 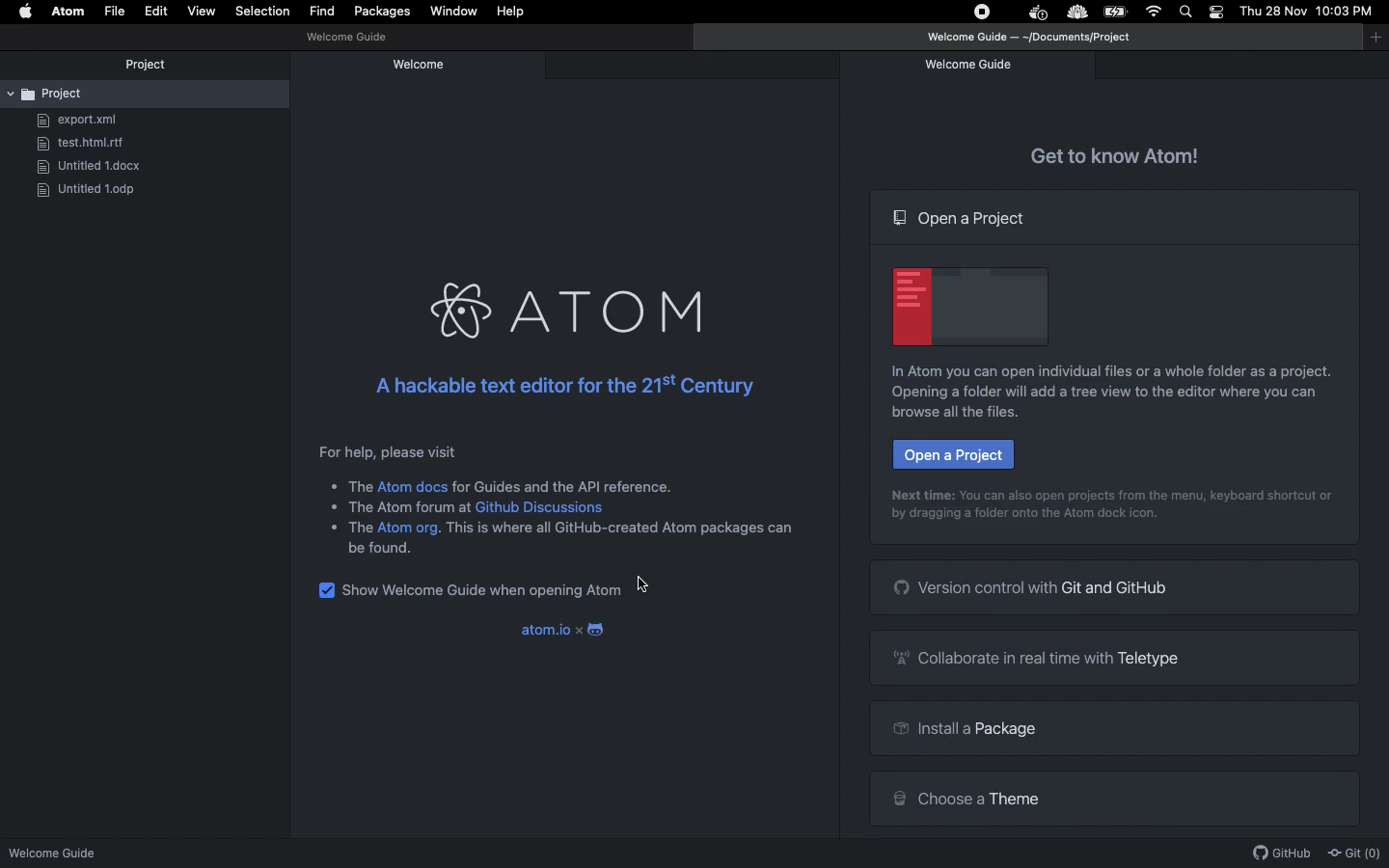 I want to click on stops, so click(x=985, y=14).